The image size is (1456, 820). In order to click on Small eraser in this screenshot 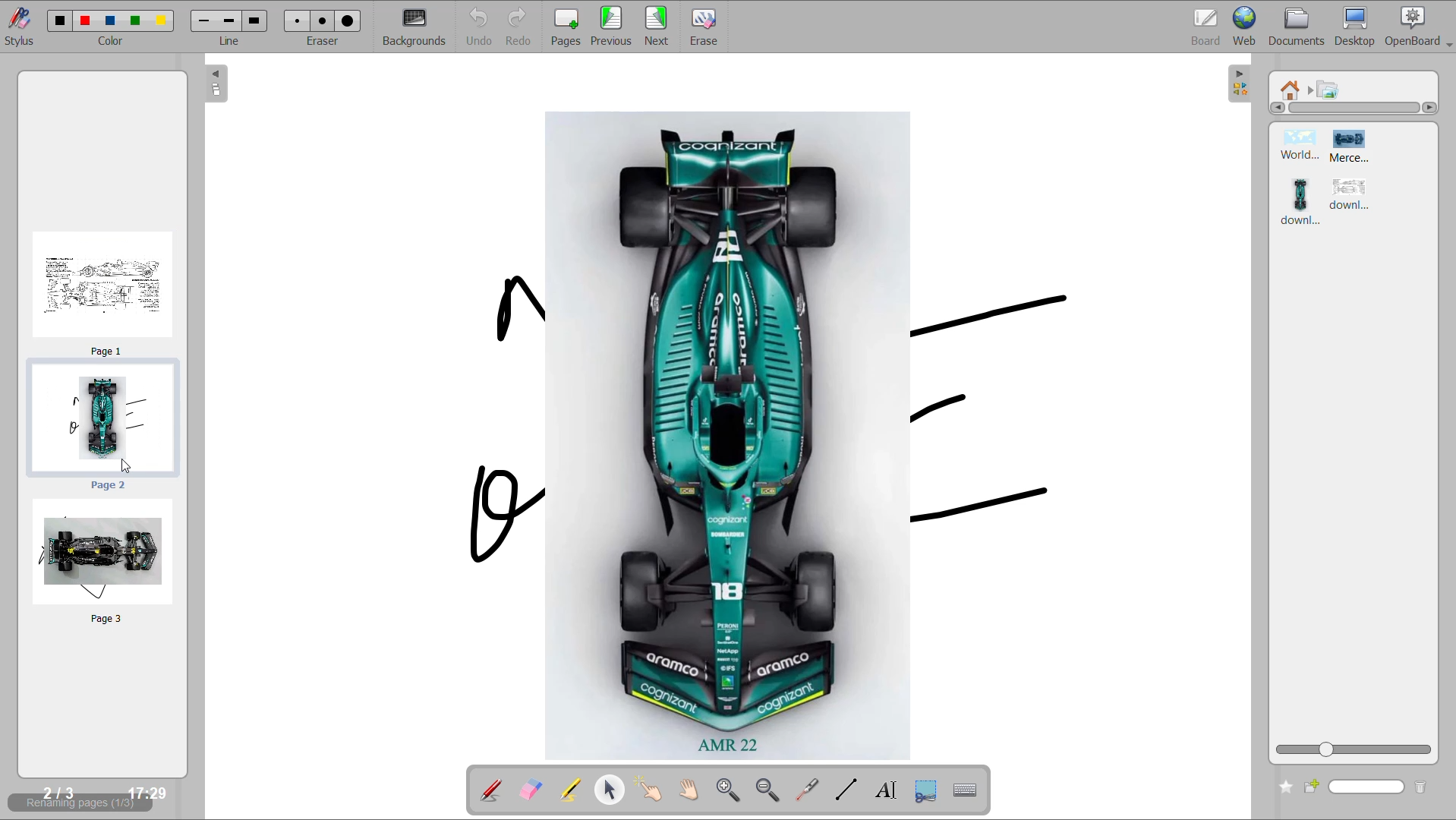, I will do `click(300, 21)`.